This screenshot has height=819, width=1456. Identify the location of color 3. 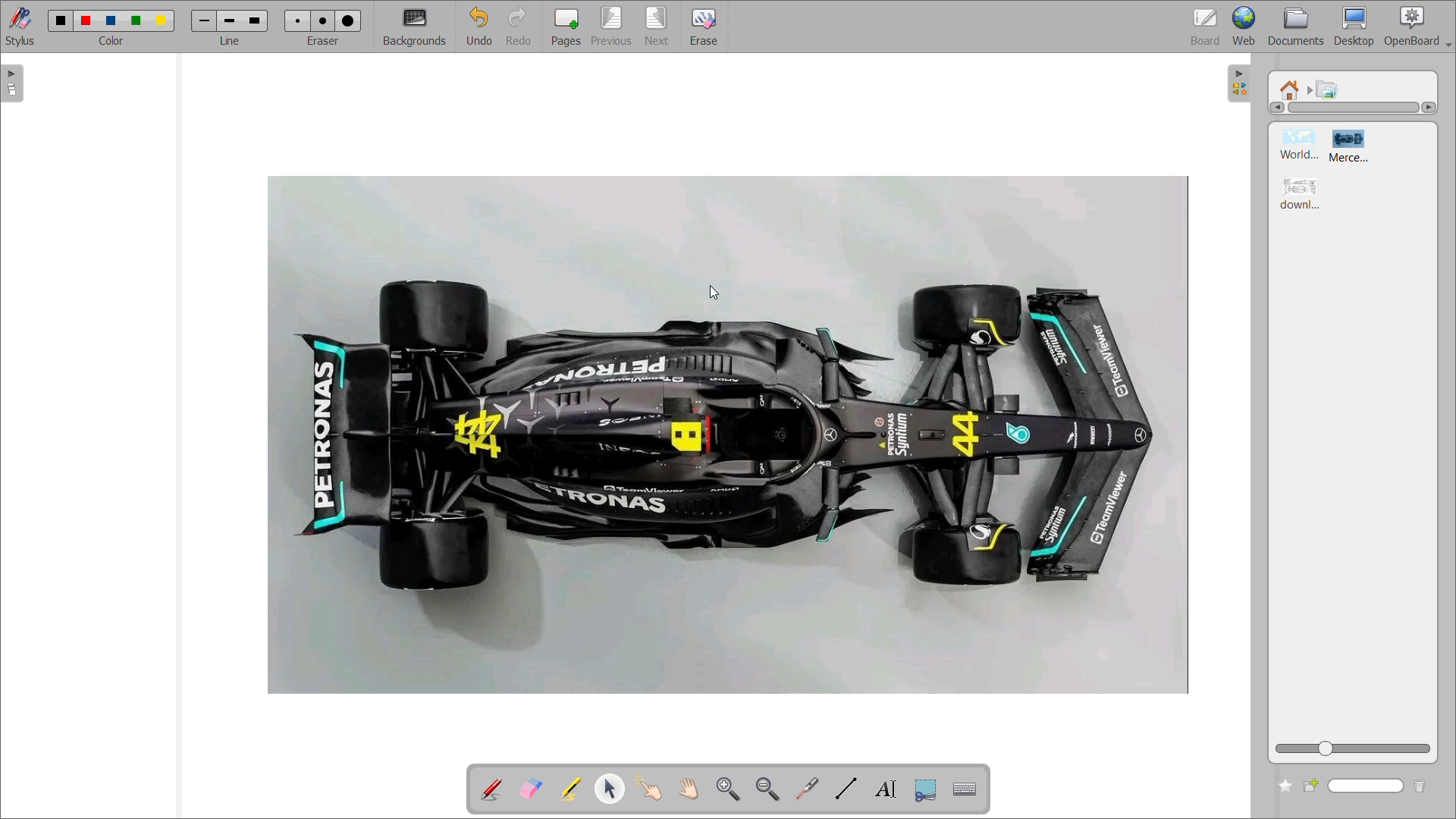
(113, 22).